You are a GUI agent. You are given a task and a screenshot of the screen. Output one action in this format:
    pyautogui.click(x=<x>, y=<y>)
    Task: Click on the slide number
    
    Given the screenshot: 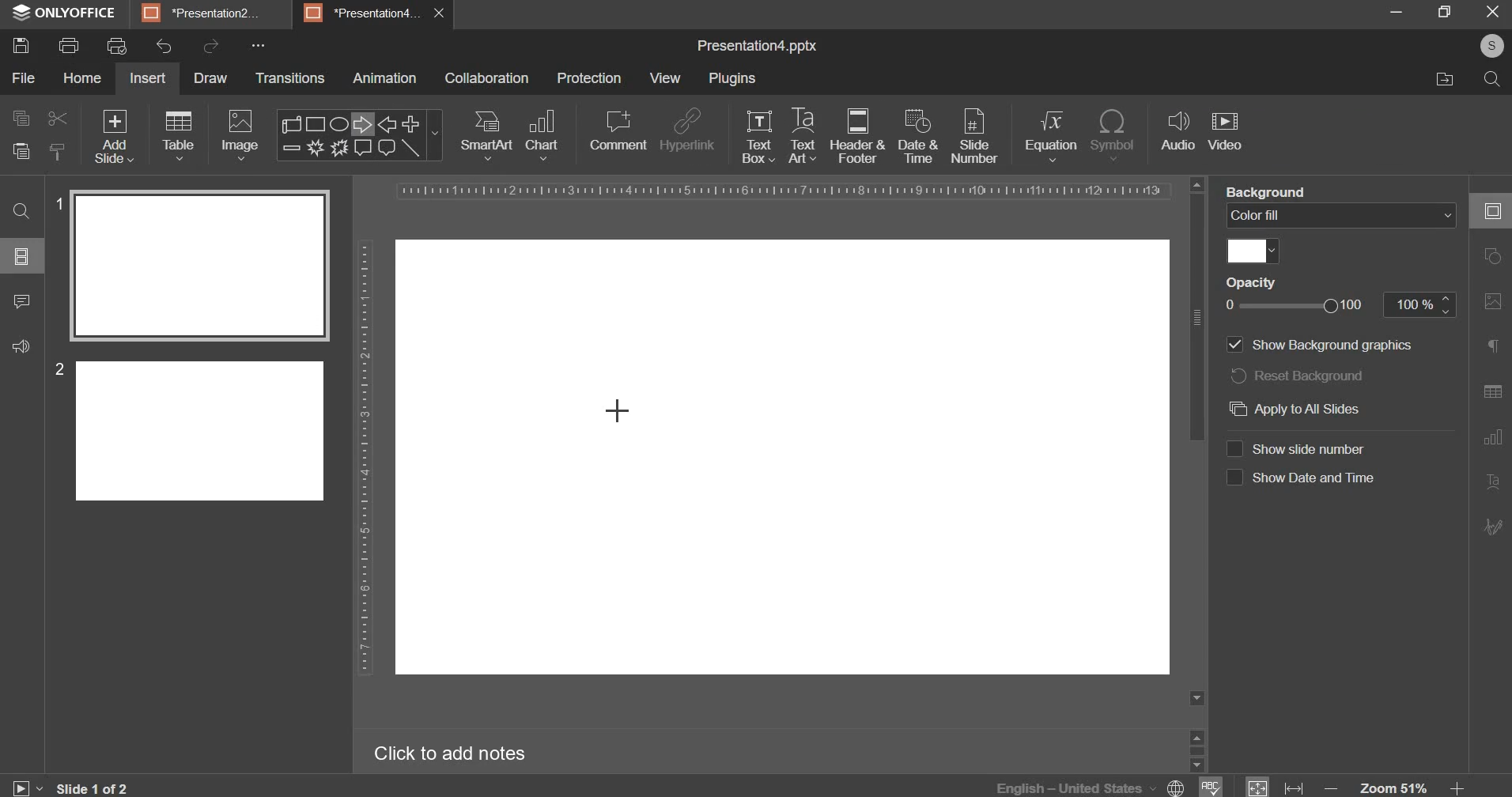 What is the action you would take?
    pyautogui.click(x=974, y=138)
    